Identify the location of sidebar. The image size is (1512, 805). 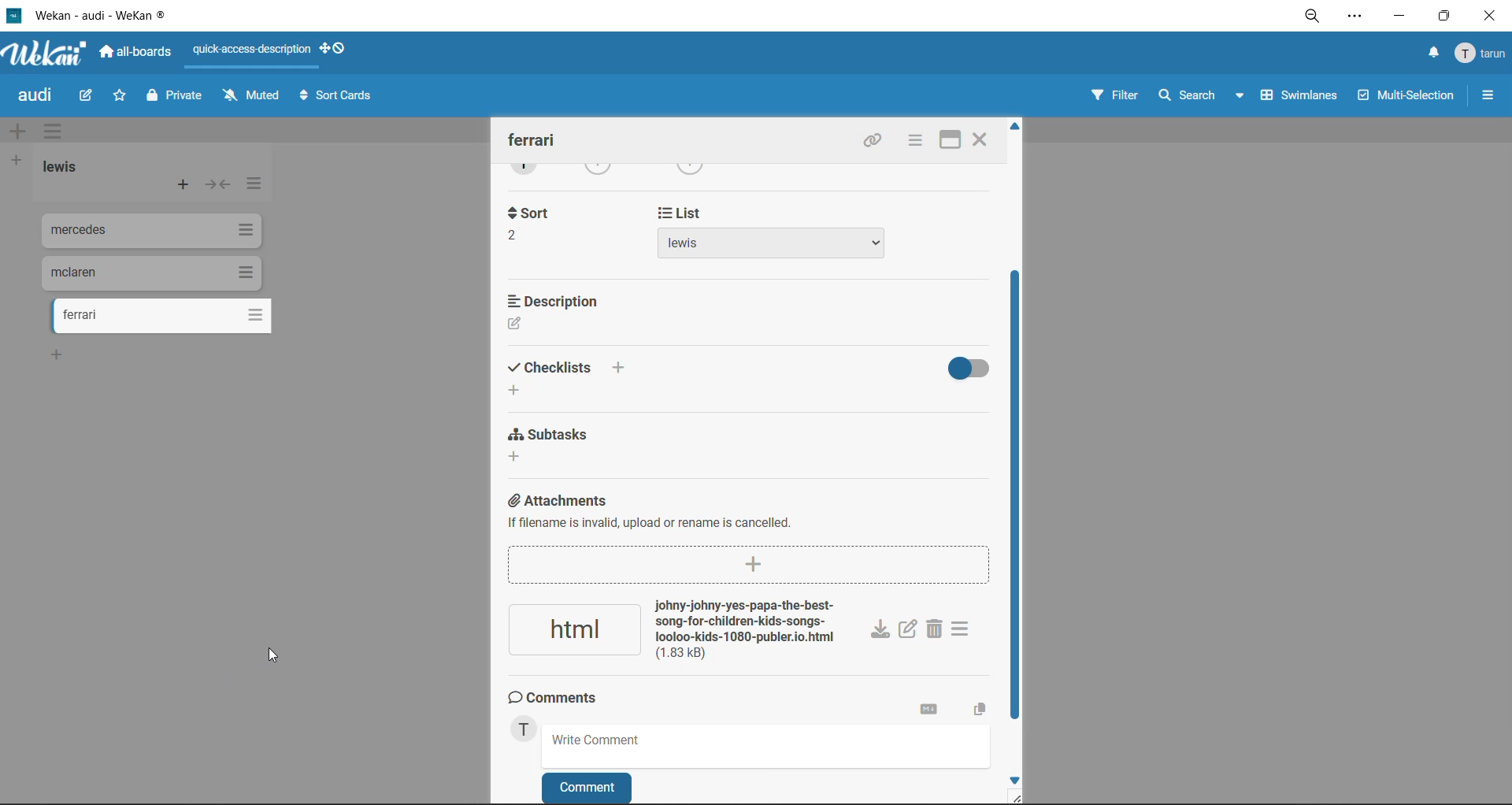
(1486, 95).